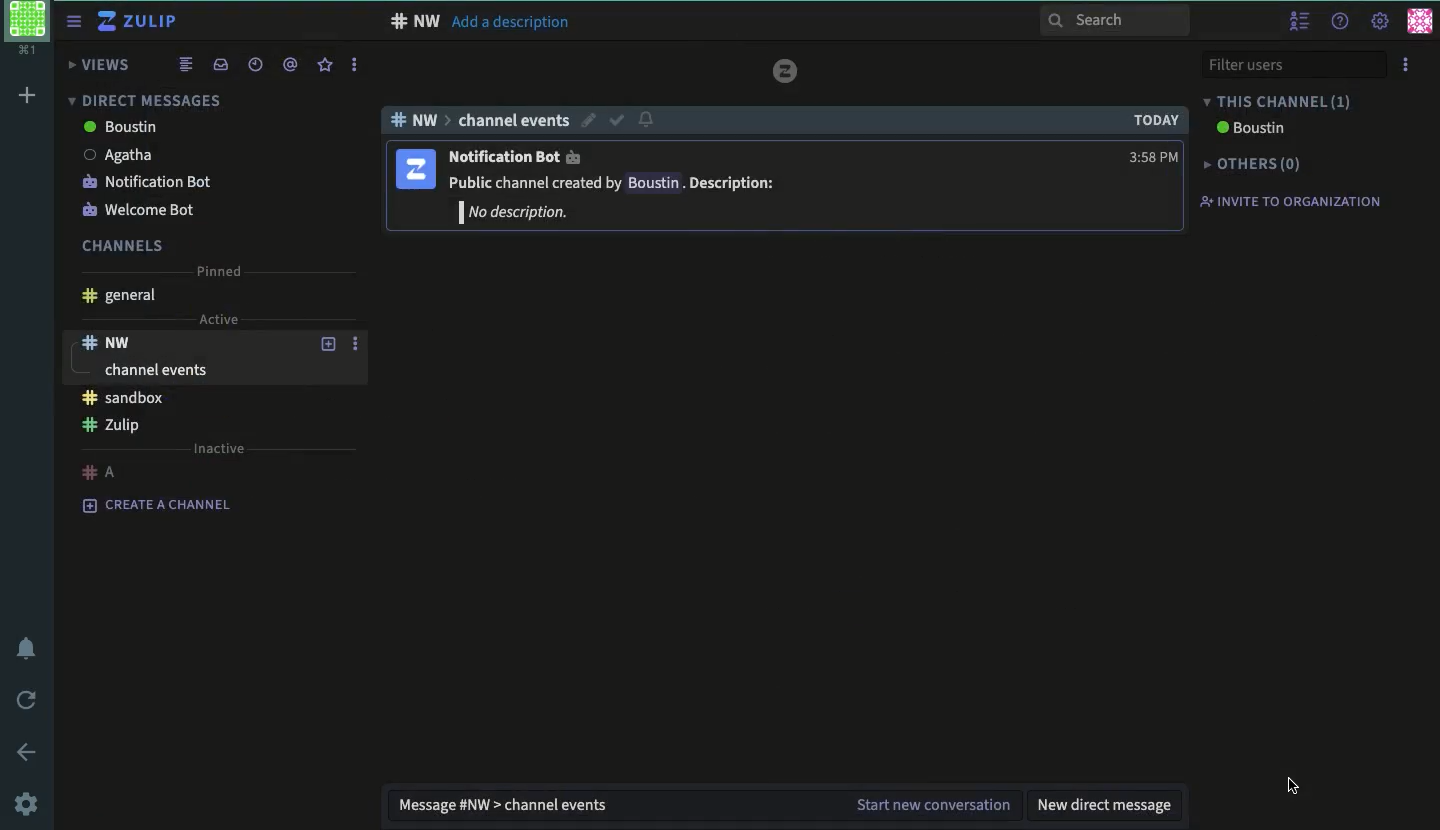 This screenshot has height=830, width=1440. I want to click on options, so click(360, 340).